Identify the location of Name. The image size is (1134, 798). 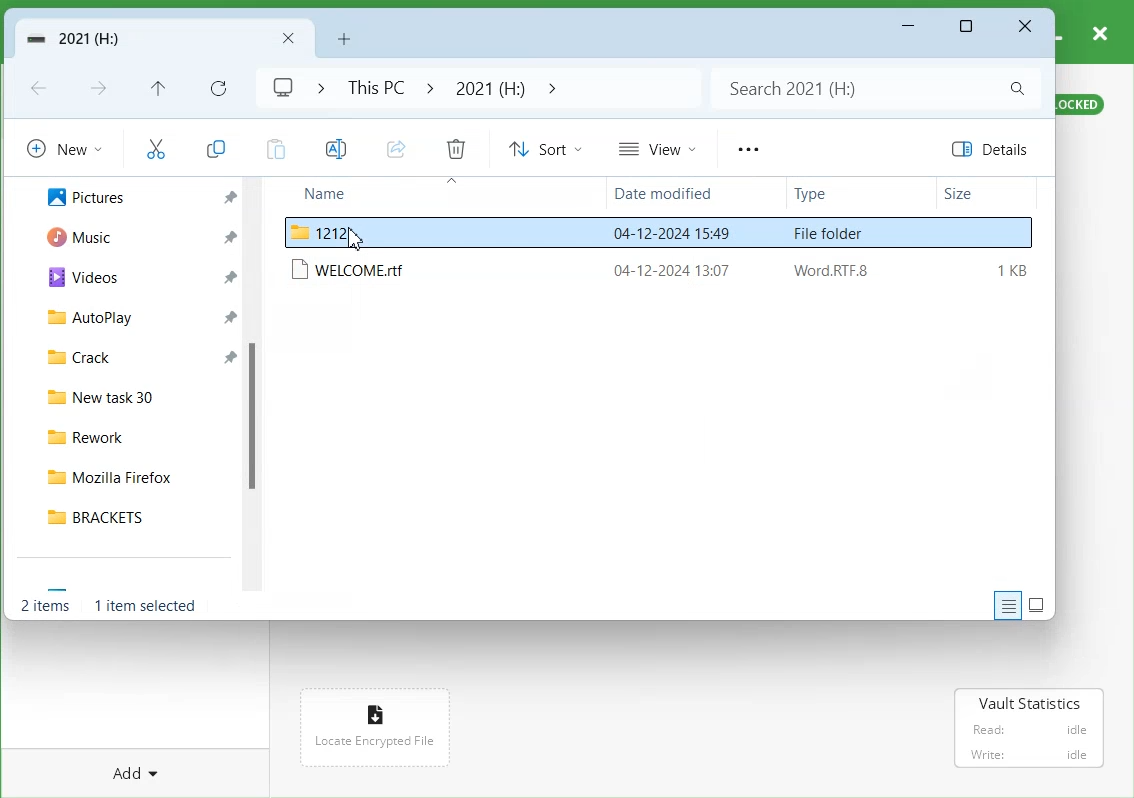
(362, 194).